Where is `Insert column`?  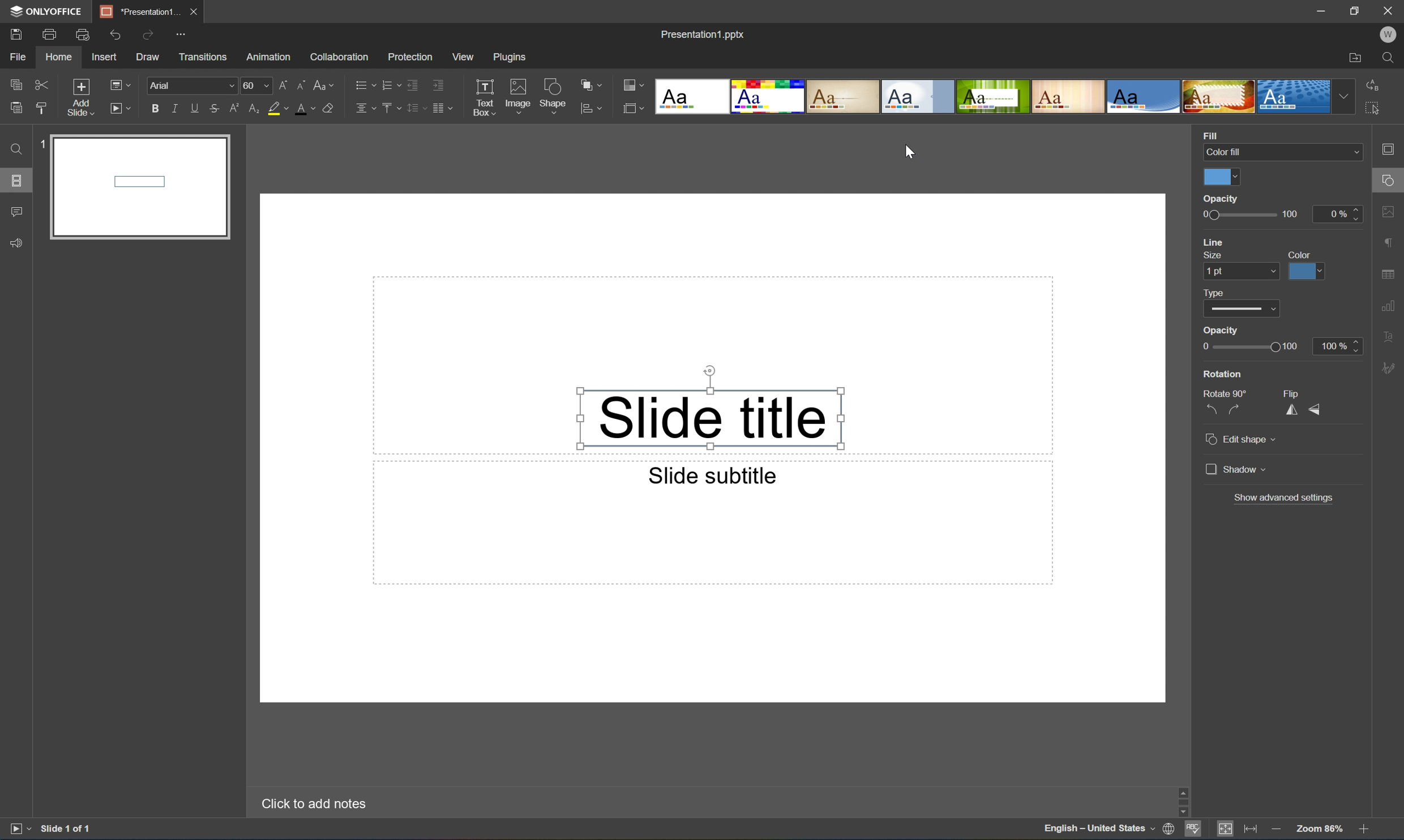
Insert column is located at coordinates (446, 108).